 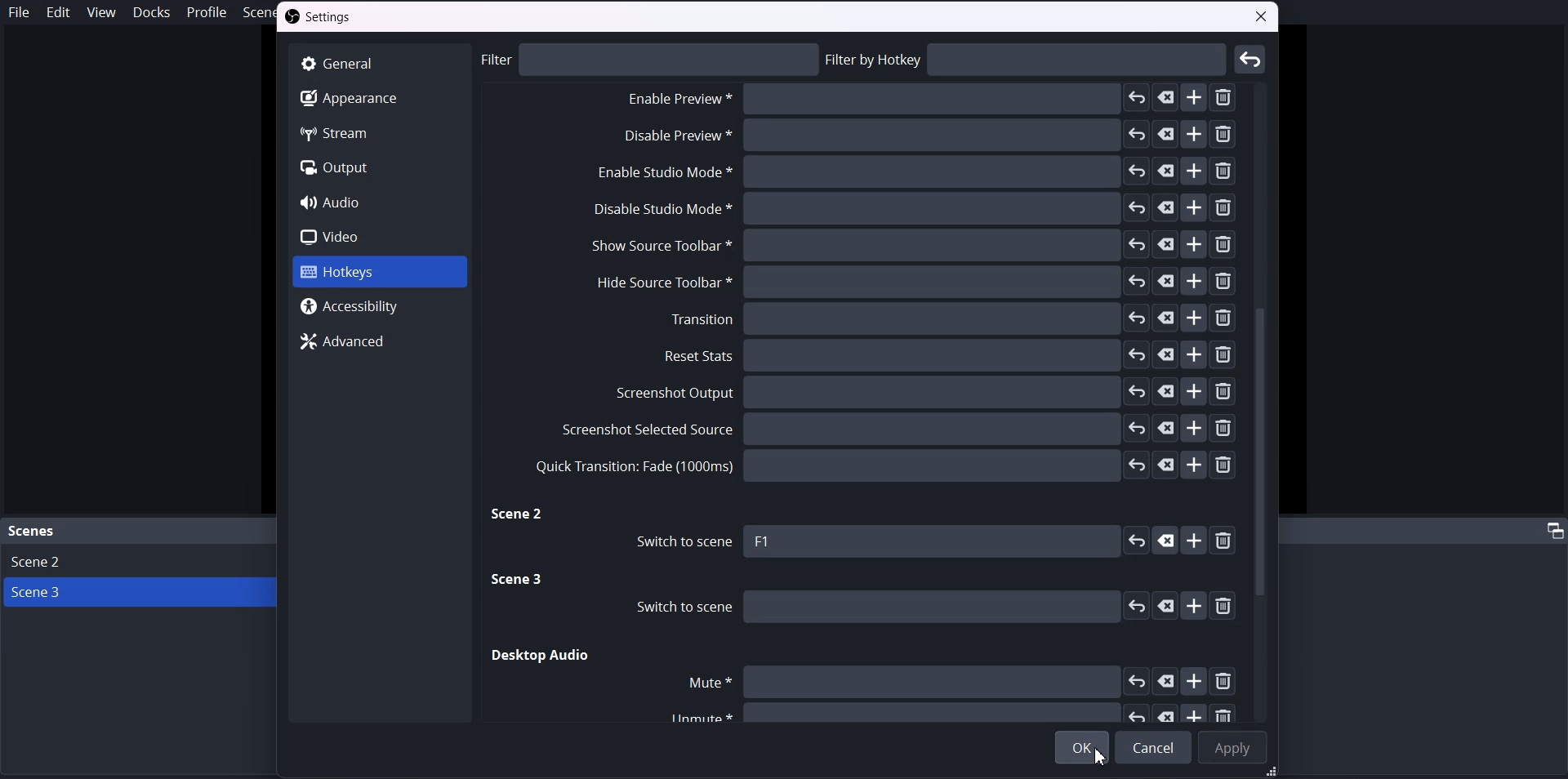 What do you see at coordinates (381, 306) in the screenshot?
I see `Accessibility` at bounding box center [381, 306].